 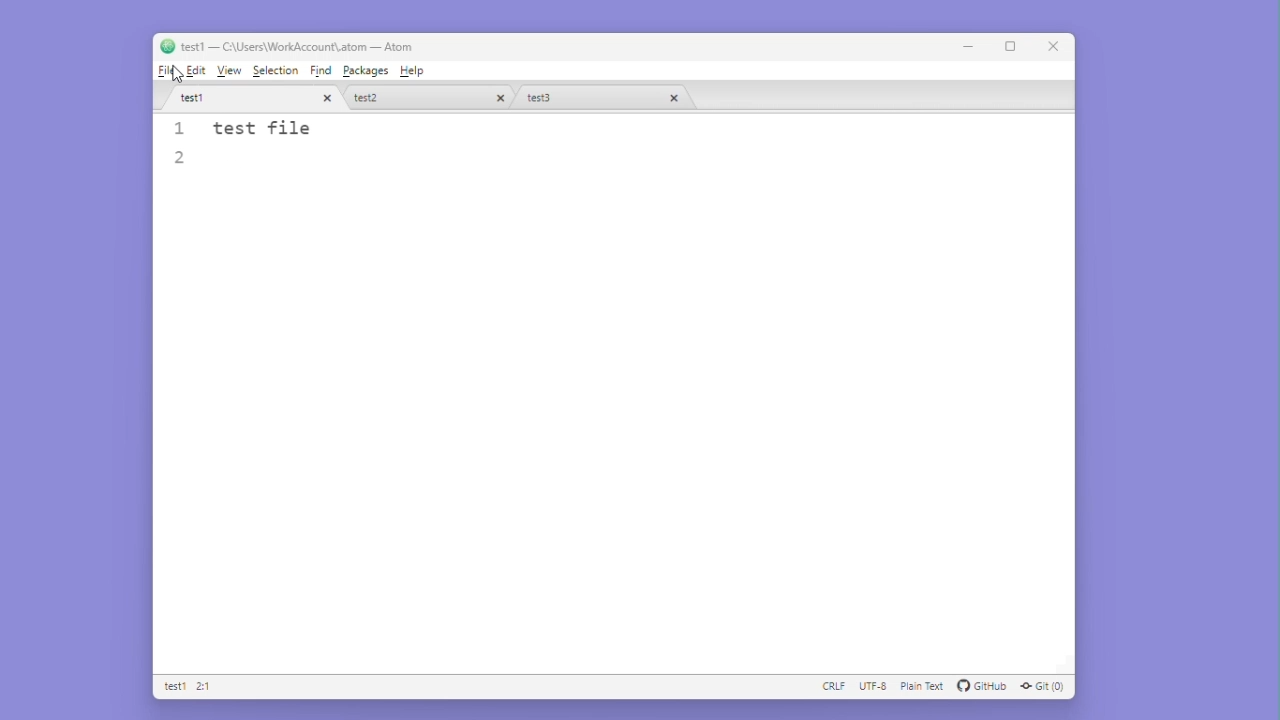 I want to click on plain text, so click(x=926, y=686).